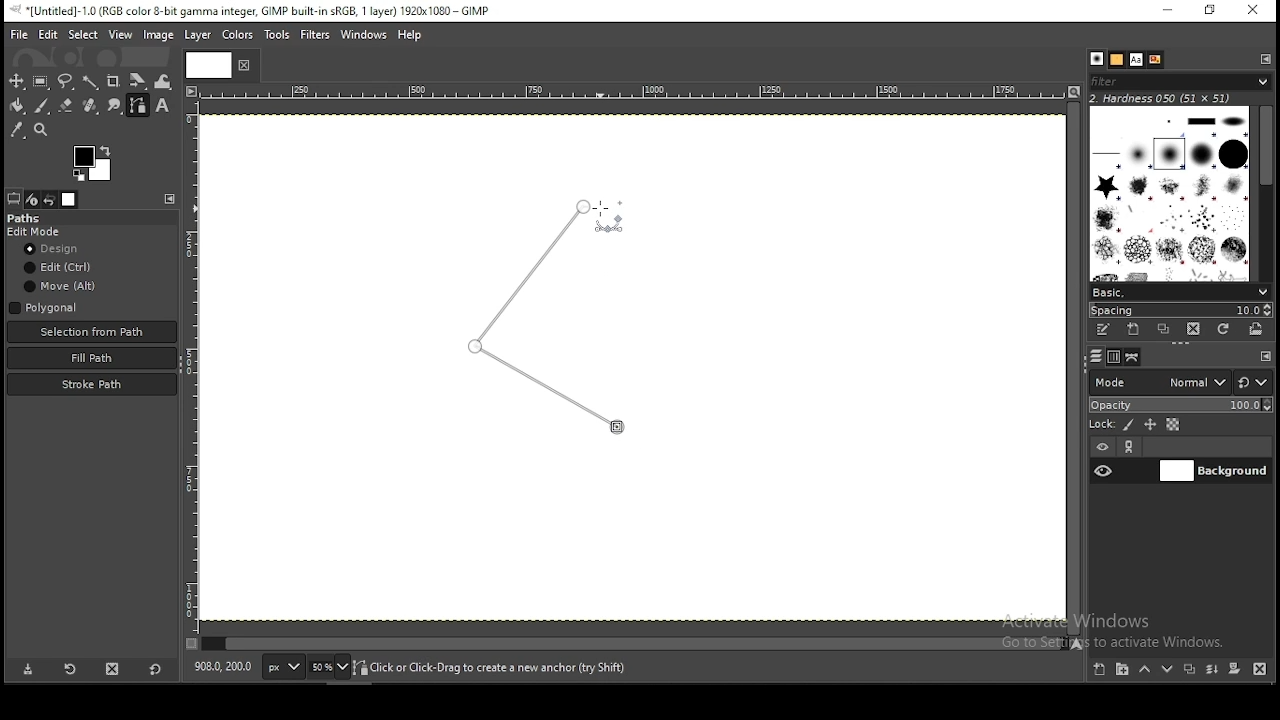 The image size is (1280, 720). I want to click on brushes, so click(1167, 193).